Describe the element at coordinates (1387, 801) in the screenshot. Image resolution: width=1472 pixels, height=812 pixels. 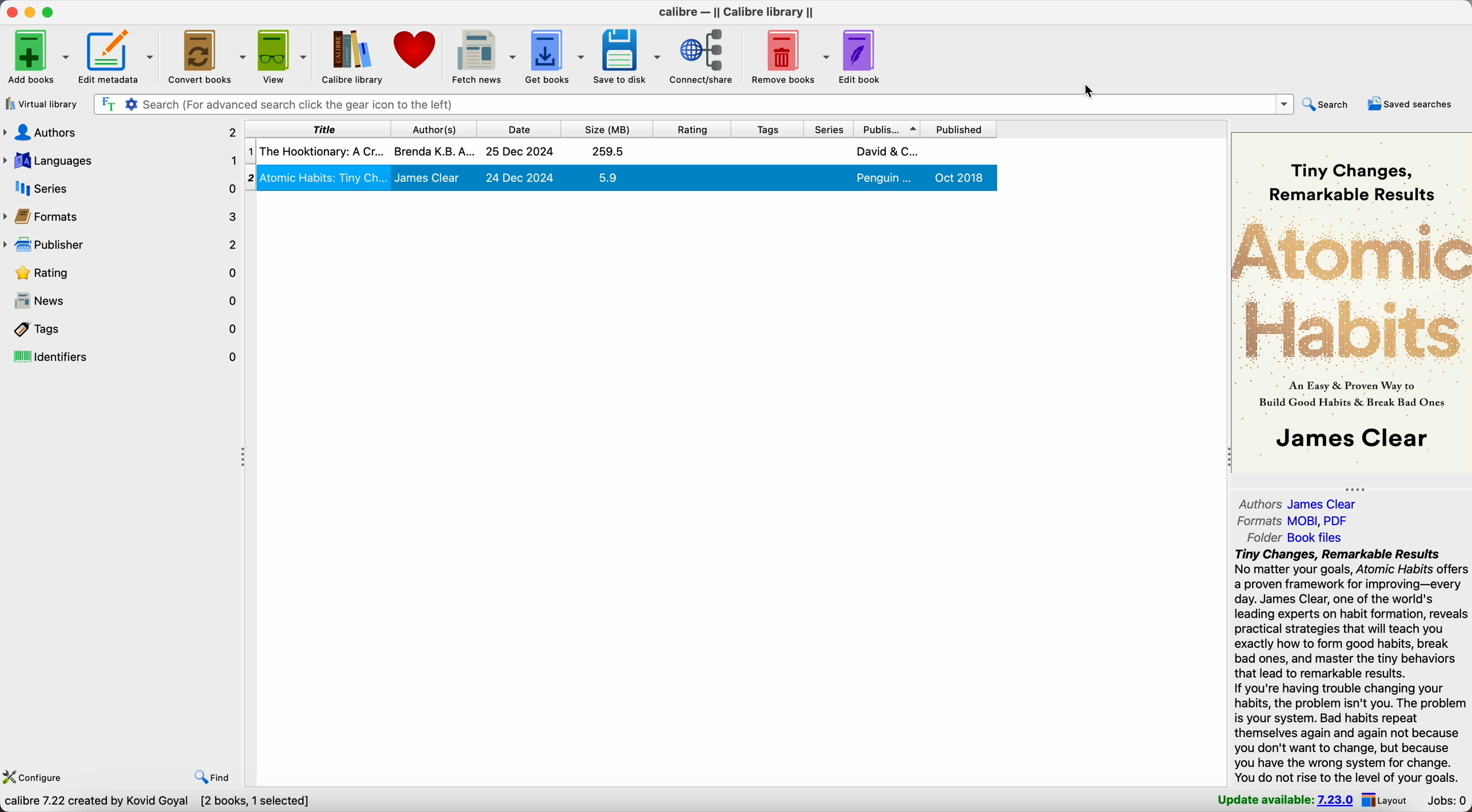
I see `layout` at that location.